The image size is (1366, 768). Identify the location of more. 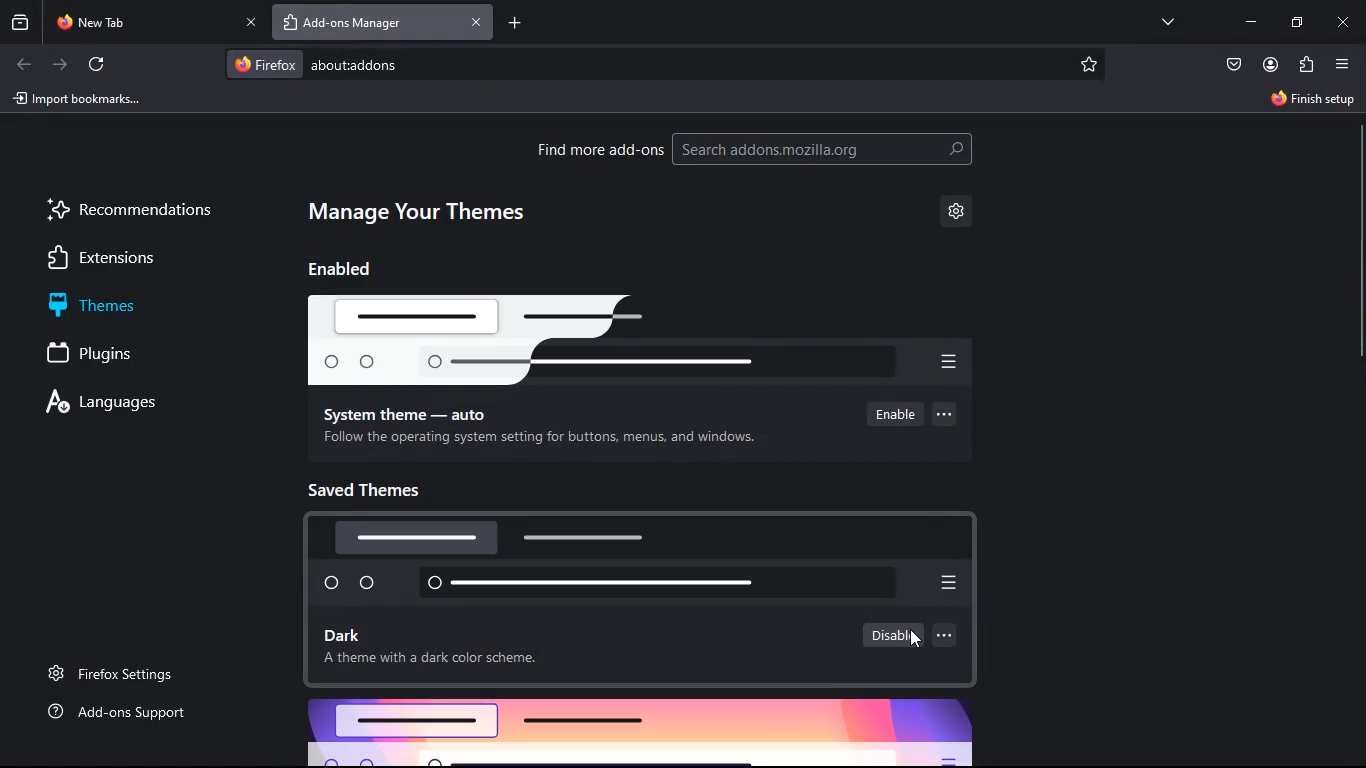
(944, 413).